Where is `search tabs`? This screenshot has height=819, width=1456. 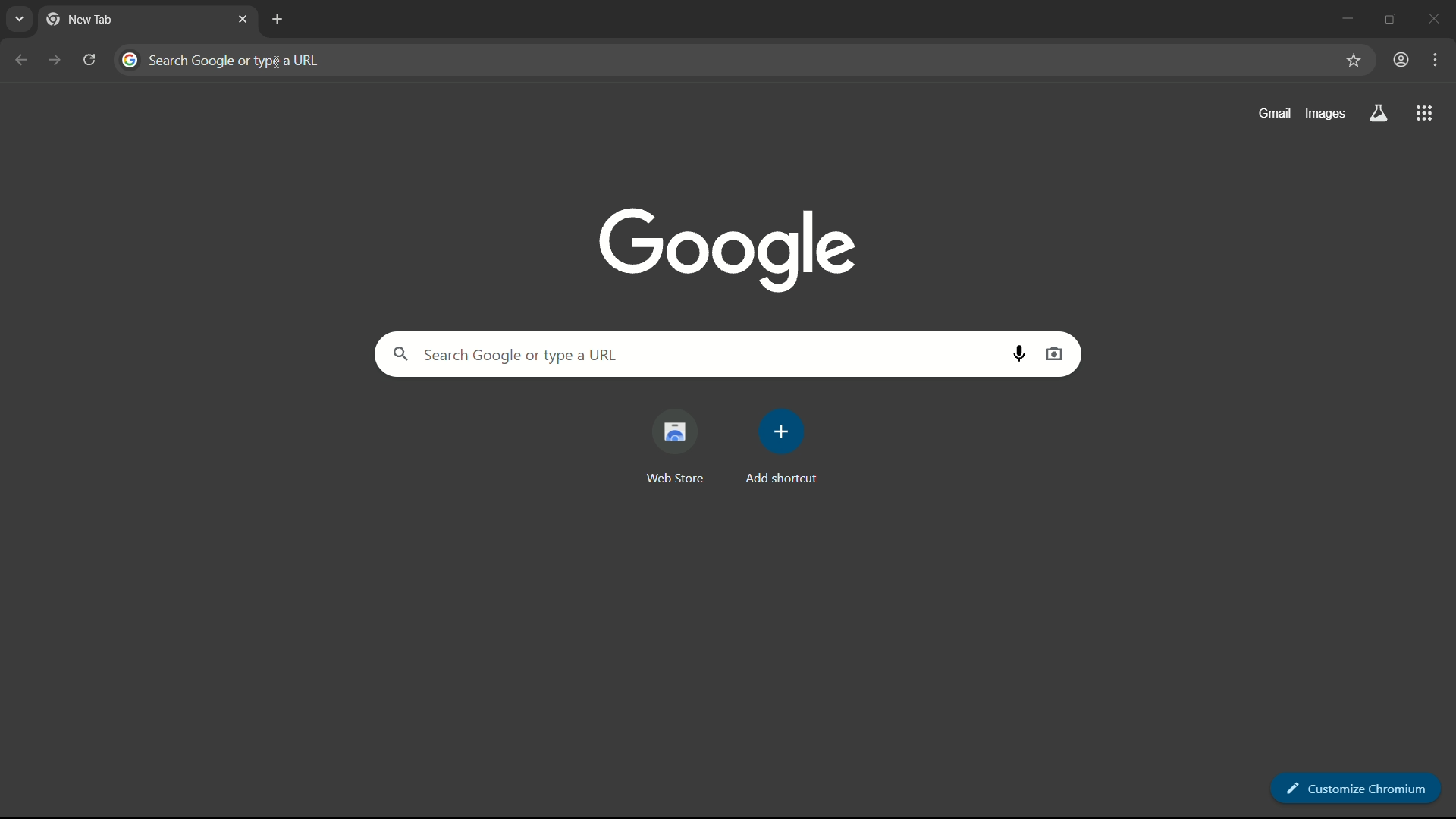
search tabs is located at coordinates (20, 21).